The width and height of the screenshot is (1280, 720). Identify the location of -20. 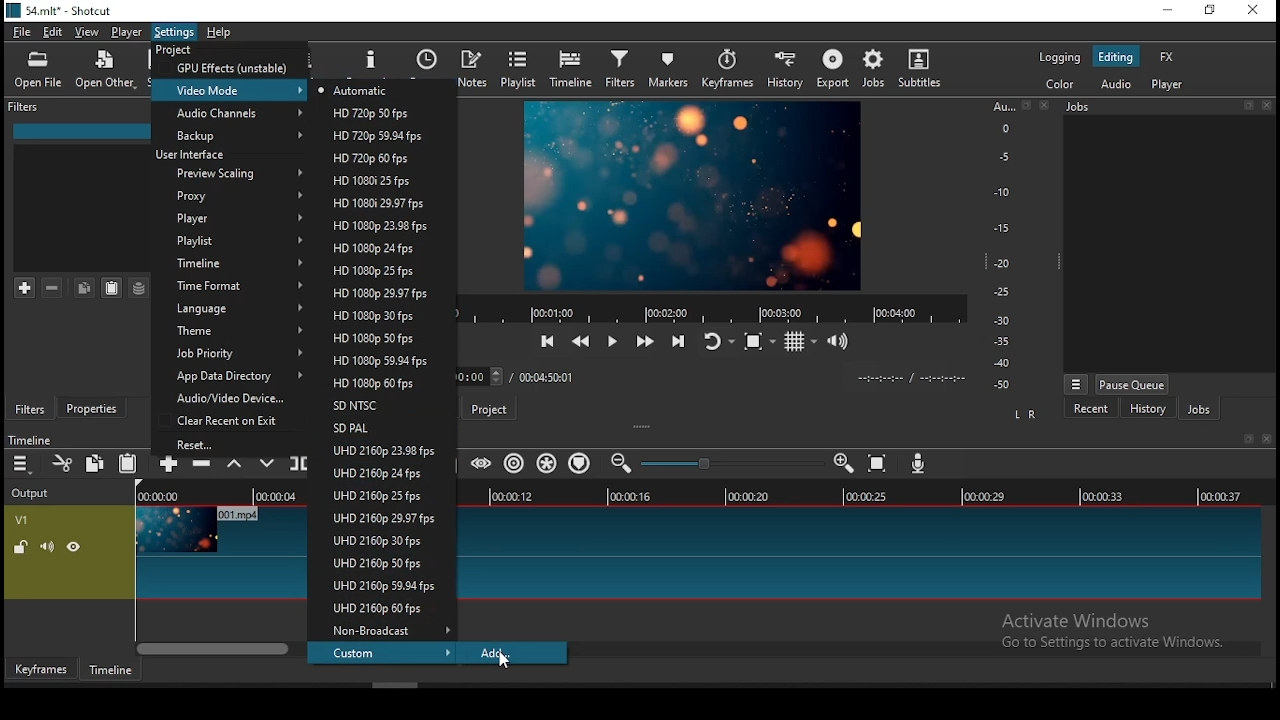
(1002, 263).